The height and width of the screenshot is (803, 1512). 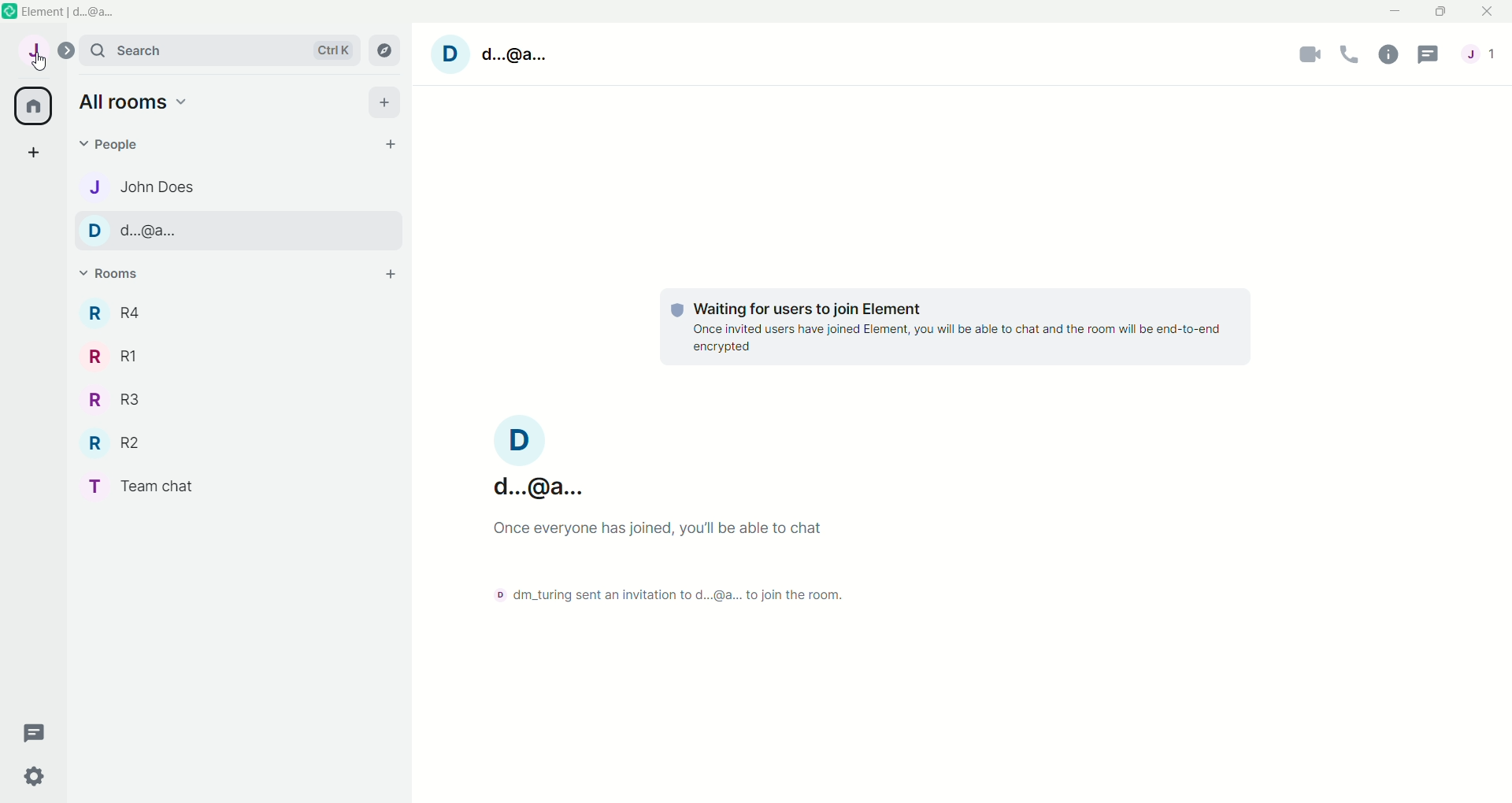 What do you see at coordinates (391, 140) in the screenshot?
I see `Start chat` at bounding box center [391, 140].